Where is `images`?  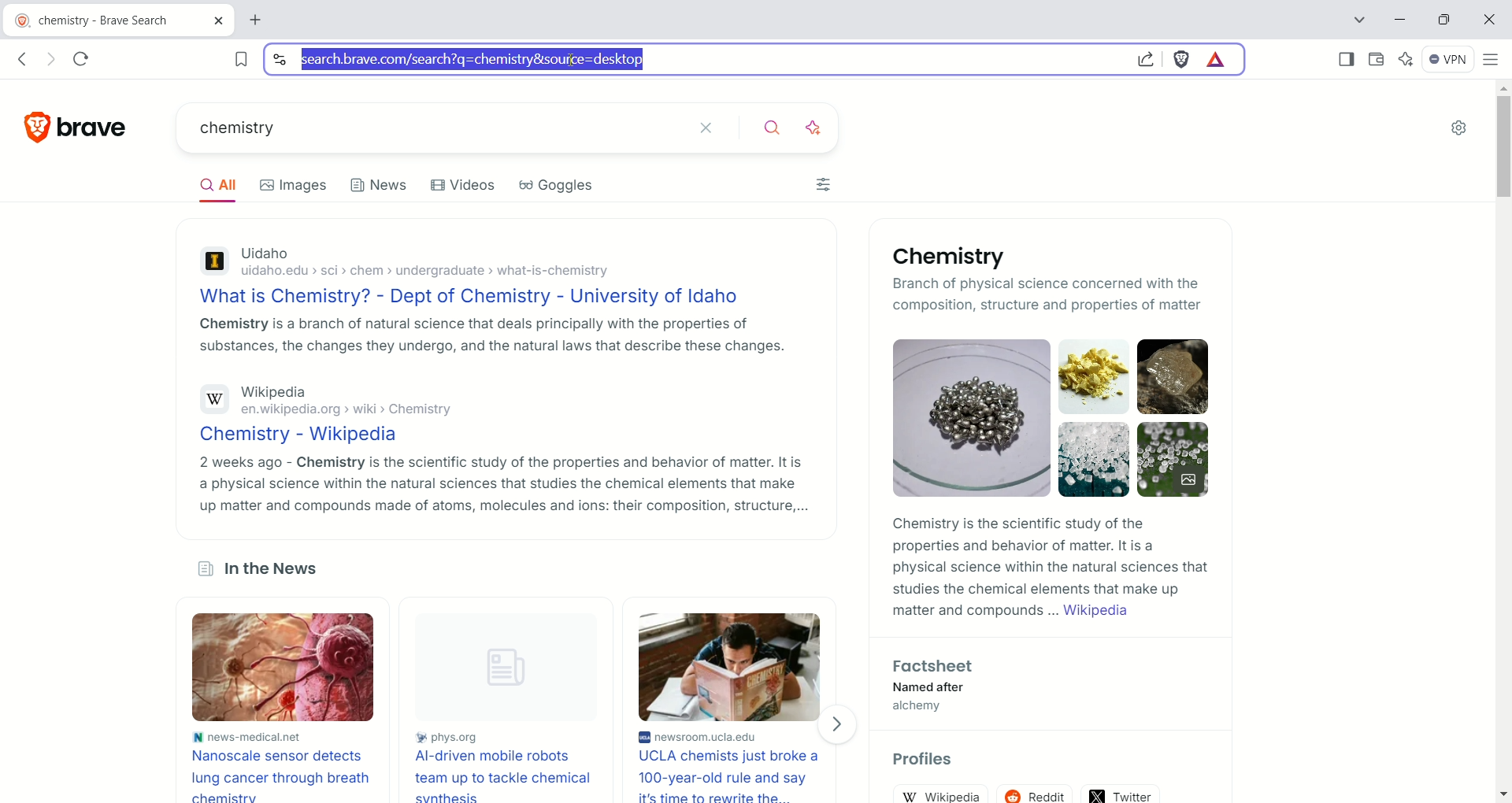
images is located at coordinates (293, 187).